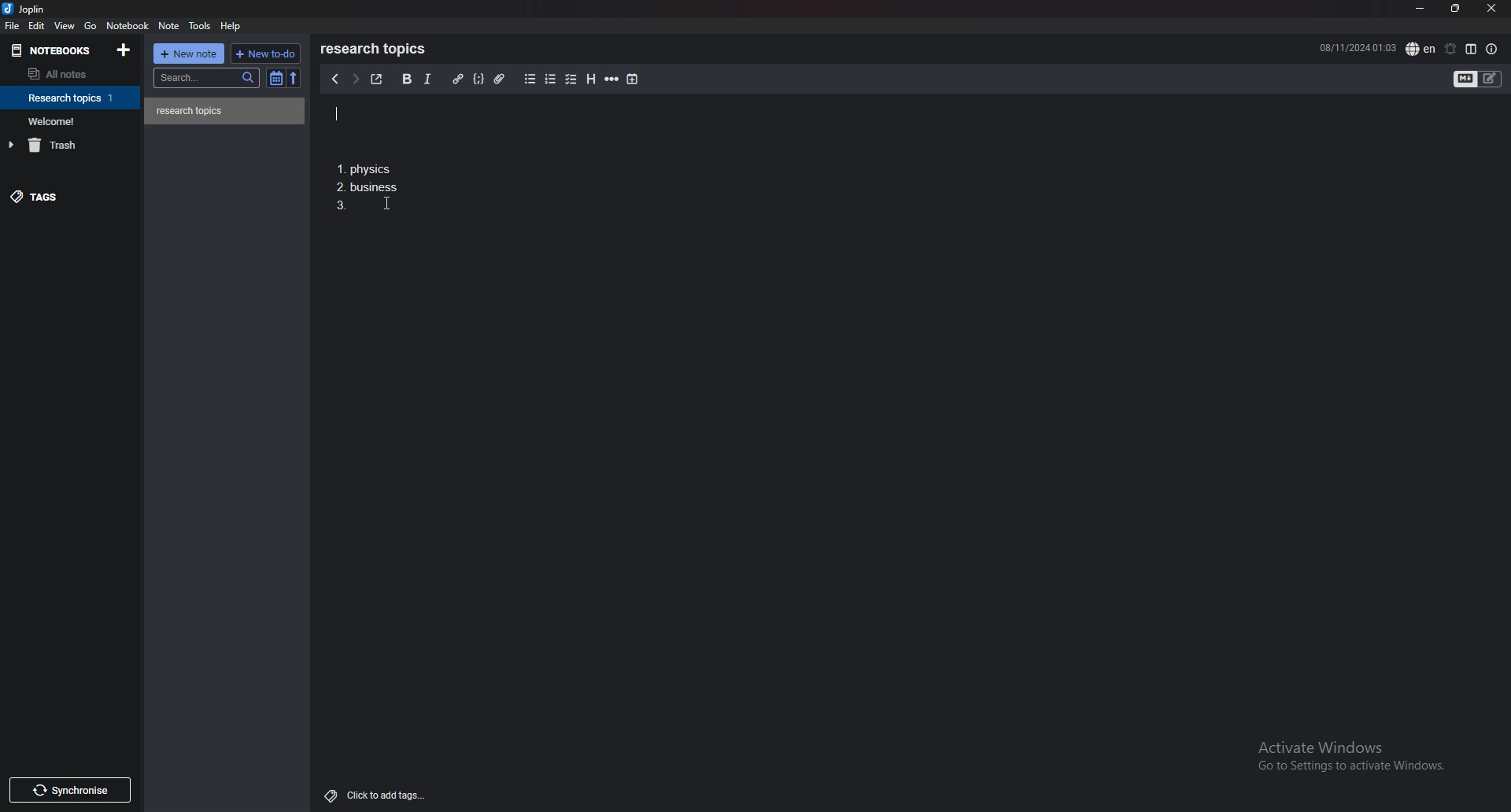 The height and width of the screenshot is (812, 1511). I want to click on previous, so click(335, 80).